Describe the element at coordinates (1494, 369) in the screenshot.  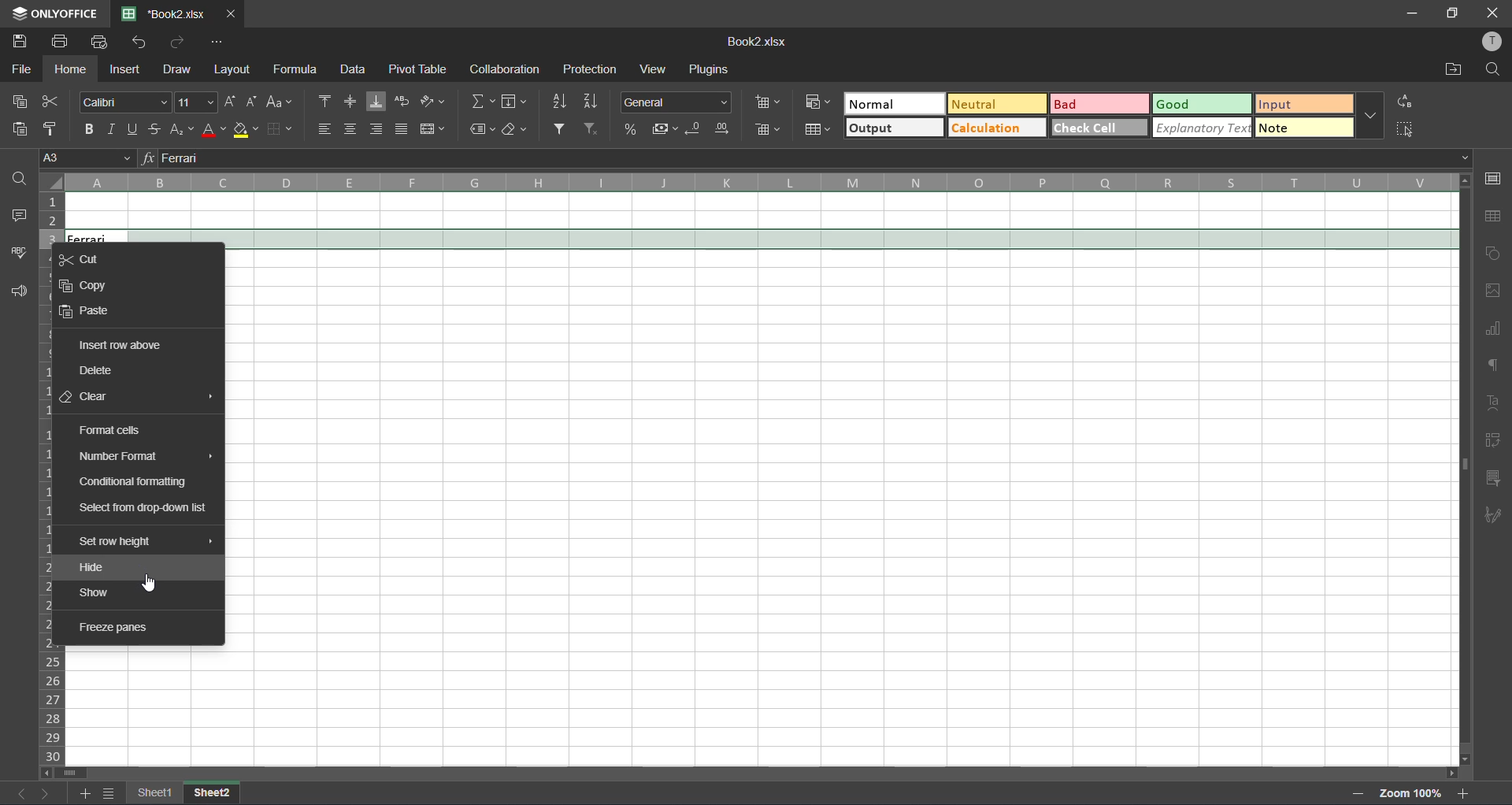
I see `paragraph` at that location.